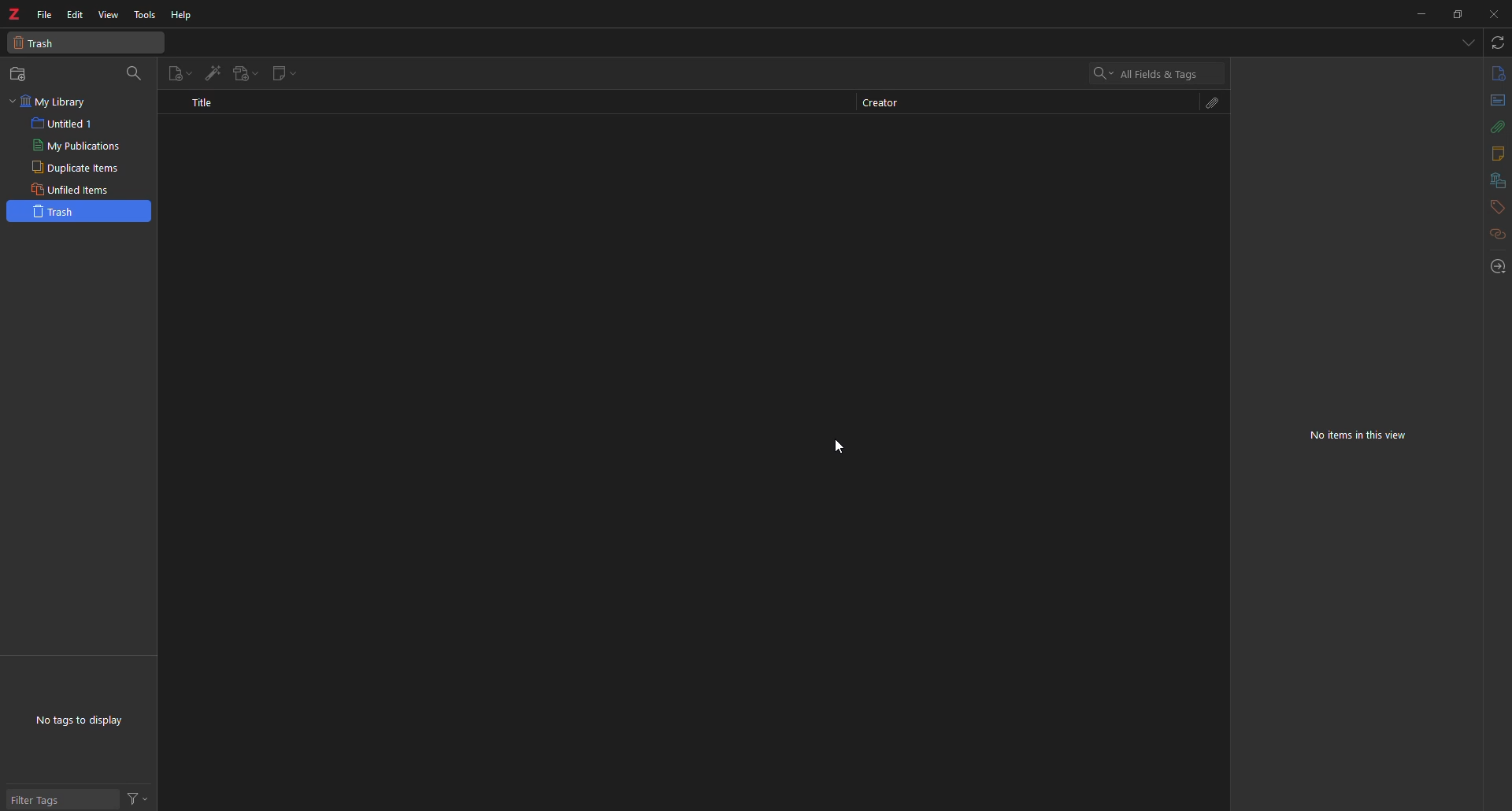  What do you see at coordinates (1155, 72) in the screenshot?
I see `search` at bounding box center [1155, 72].